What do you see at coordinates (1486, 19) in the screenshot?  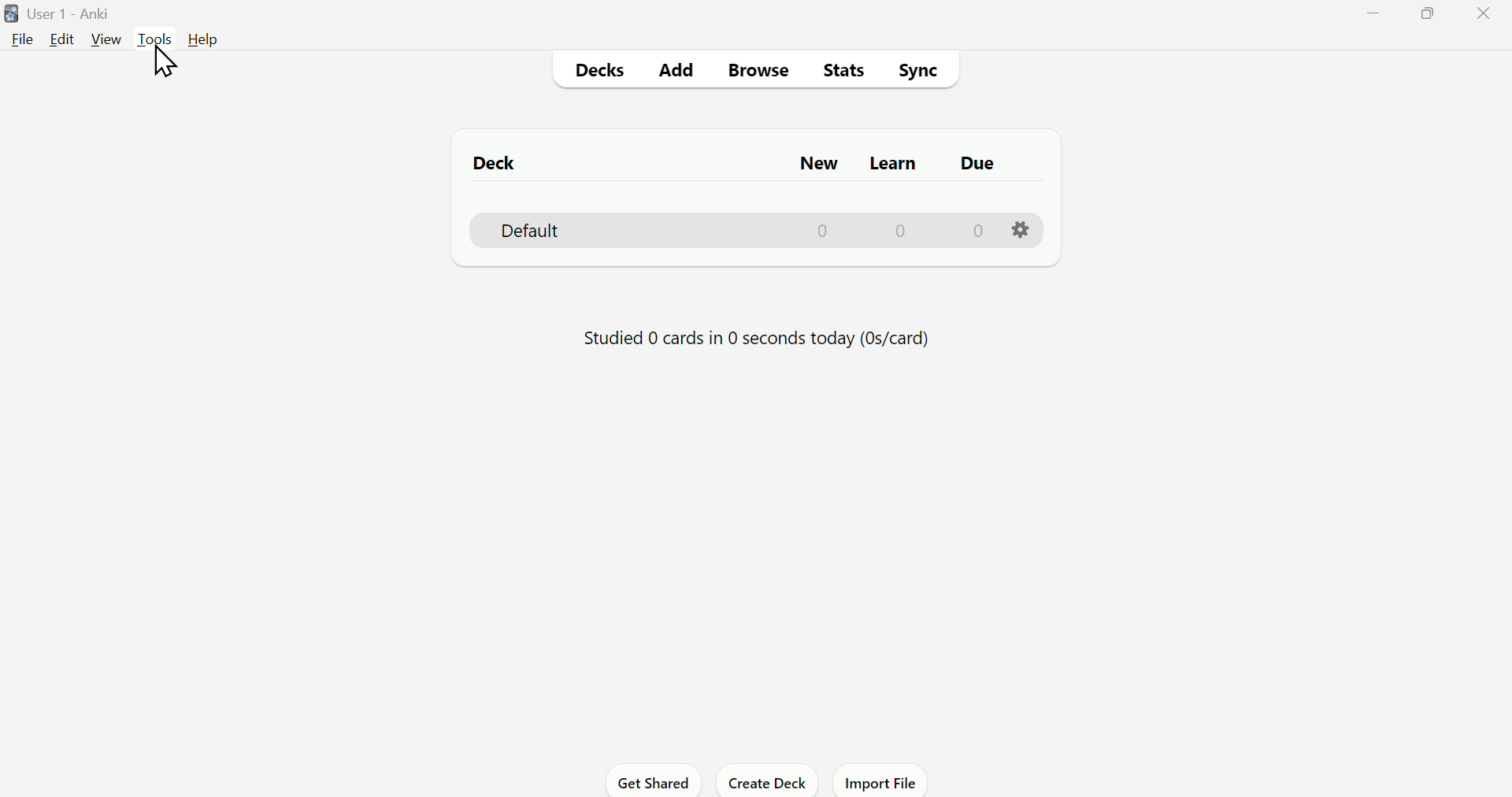 I see `Close` at bounding box center [1486, 19].